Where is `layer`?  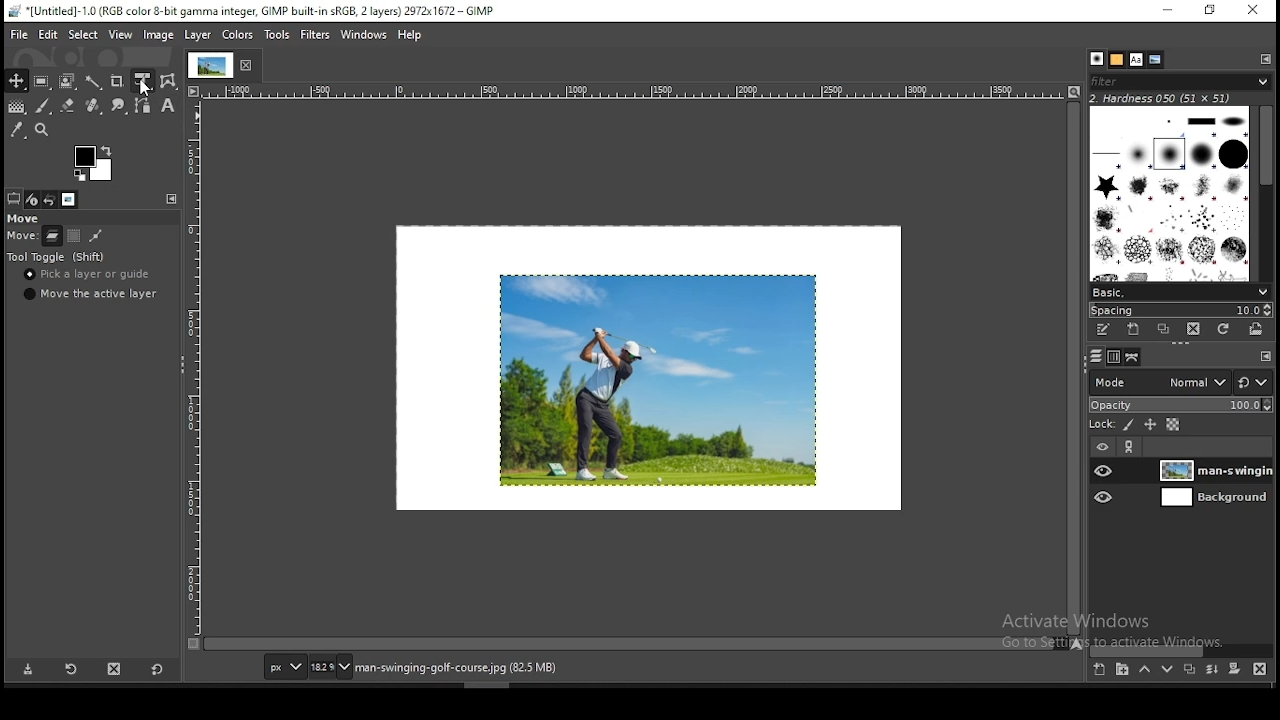 layer is located at coordinates (198, 35).